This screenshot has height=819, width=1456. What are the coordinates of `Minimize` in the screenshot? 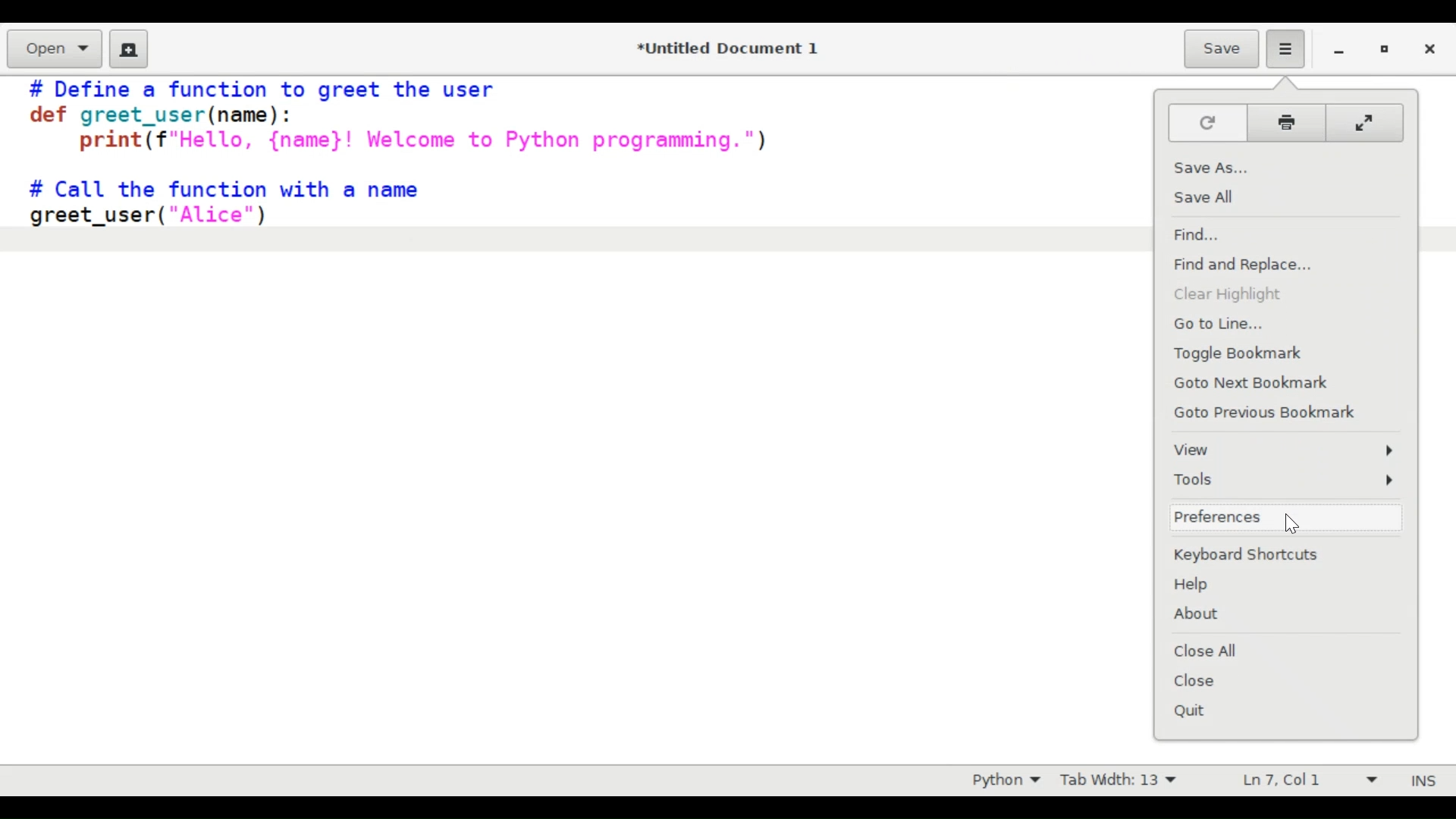 It's located at (1338, 48).